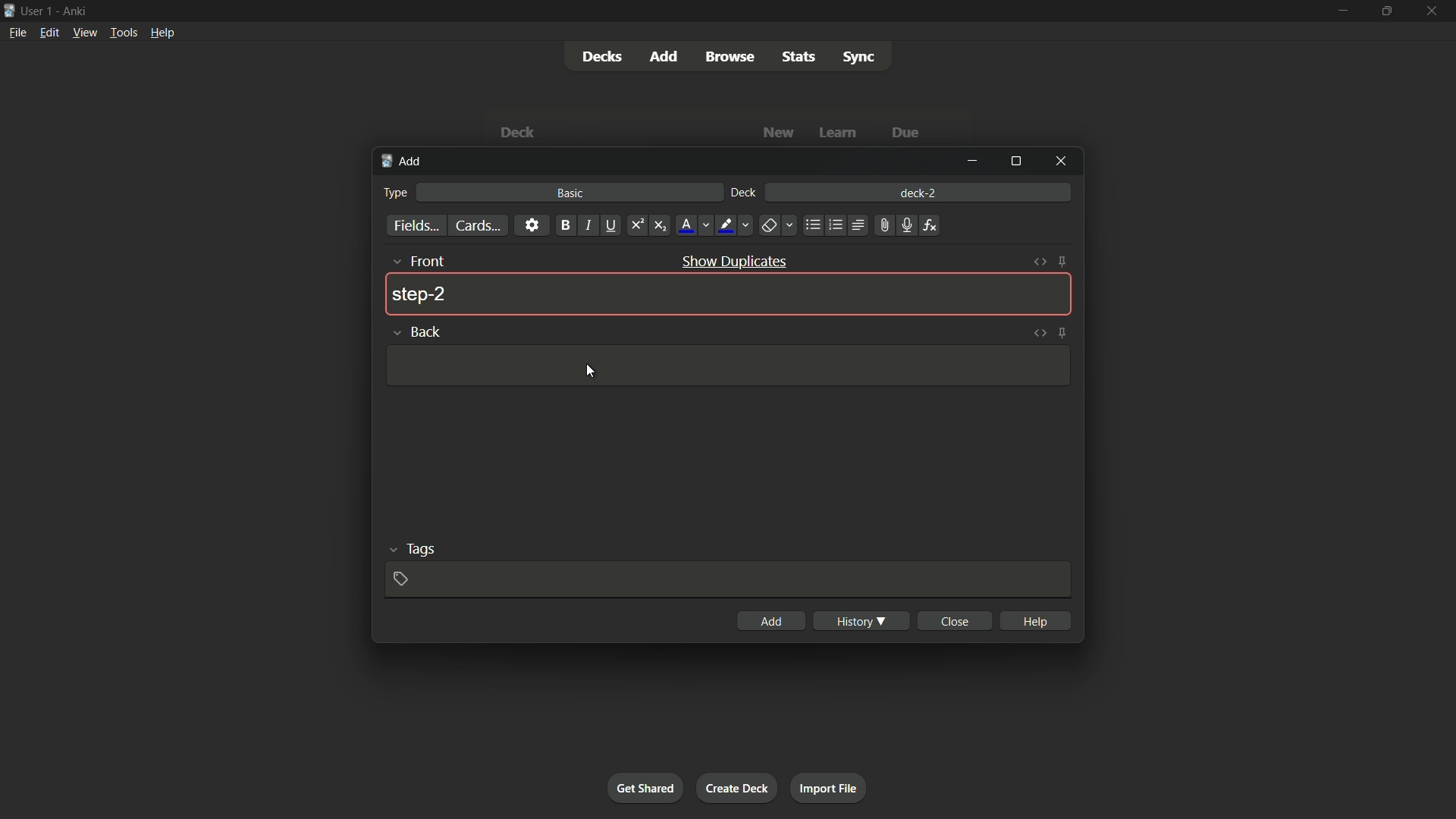 Image resolution: width=1456 pixels, height=819 pixels. What do you see at coordinates (403, 579) in the screenshot?
I see `add tag` at bounding box center [403, 579].